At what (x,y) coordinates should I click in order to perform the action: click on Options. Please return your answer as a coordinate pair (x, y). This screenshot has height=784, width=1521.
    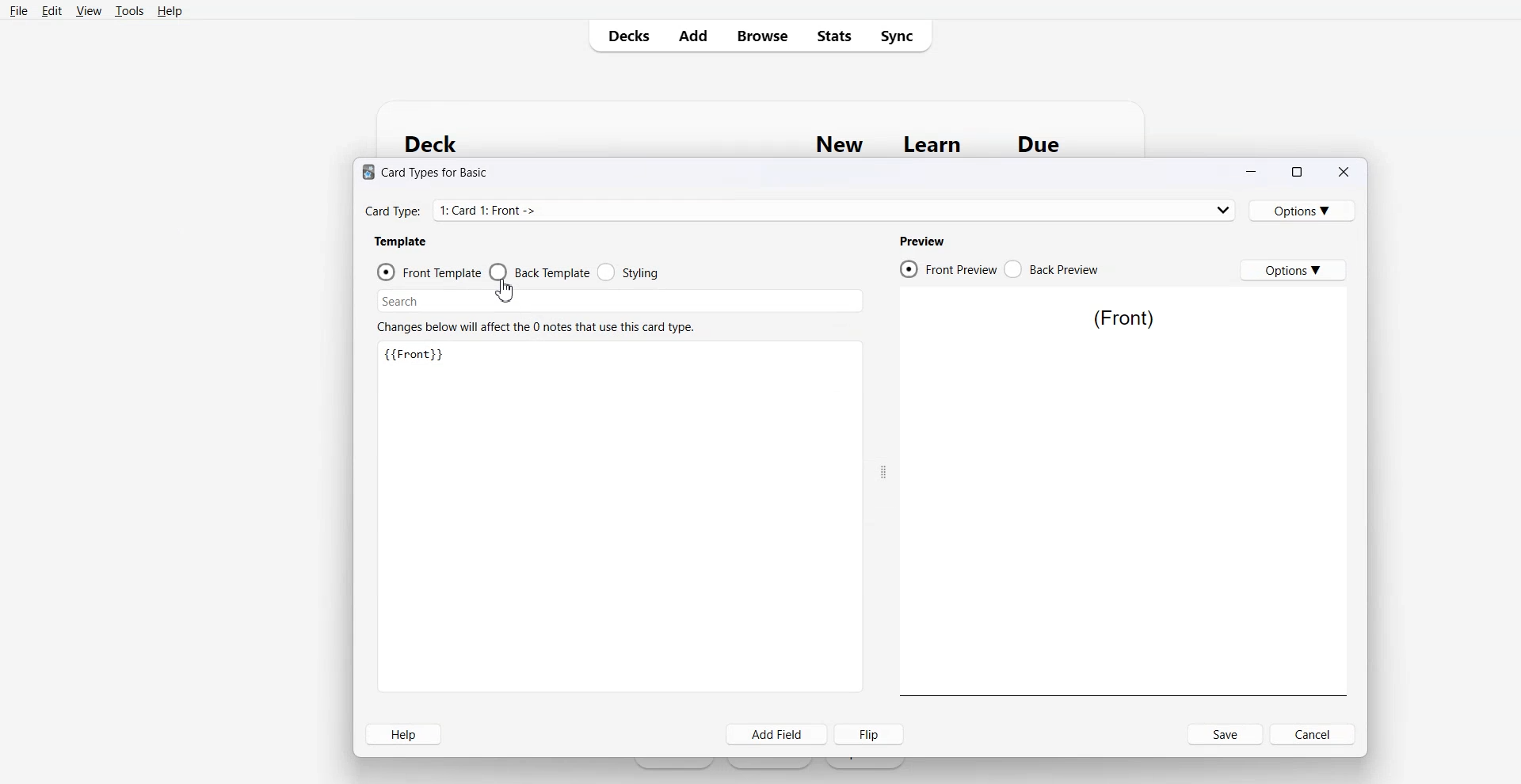
    Looking at the image, I should click on (1302, 211).